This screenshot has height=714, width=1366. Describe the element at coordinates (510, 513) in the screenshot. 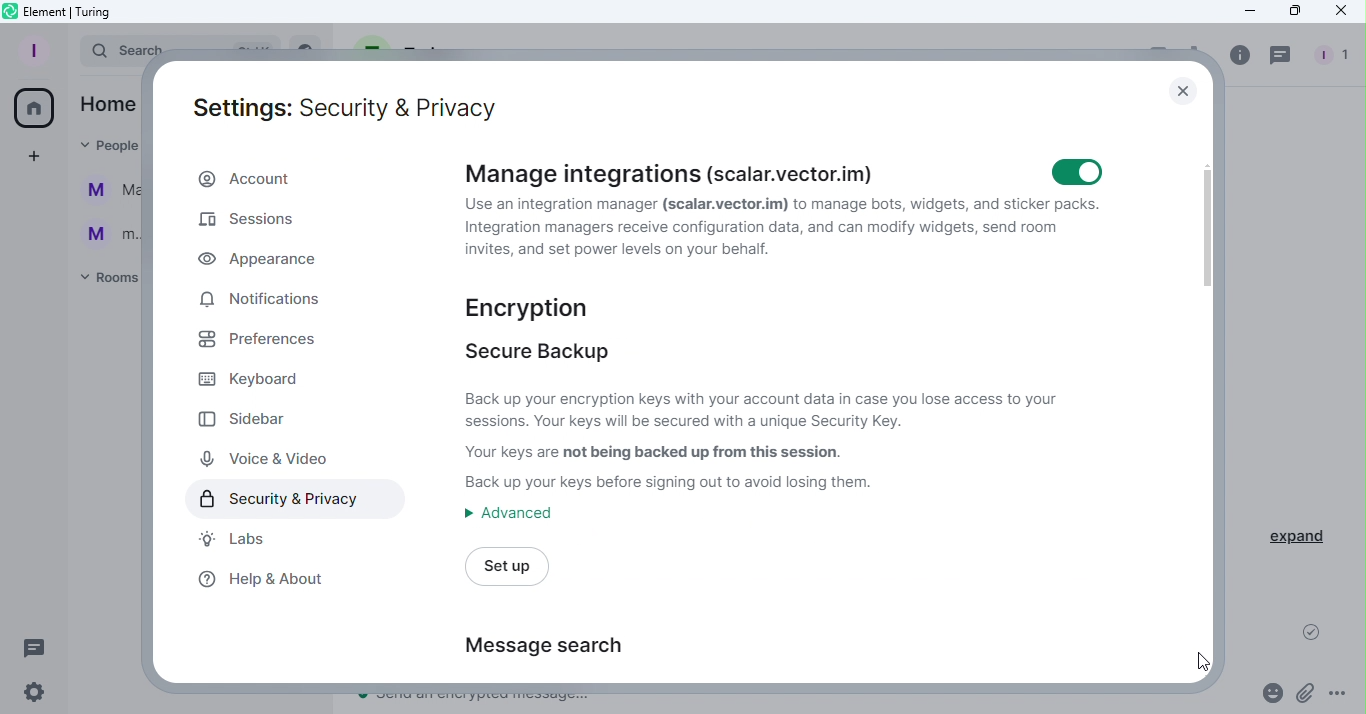

I see `Advanced` at that location.